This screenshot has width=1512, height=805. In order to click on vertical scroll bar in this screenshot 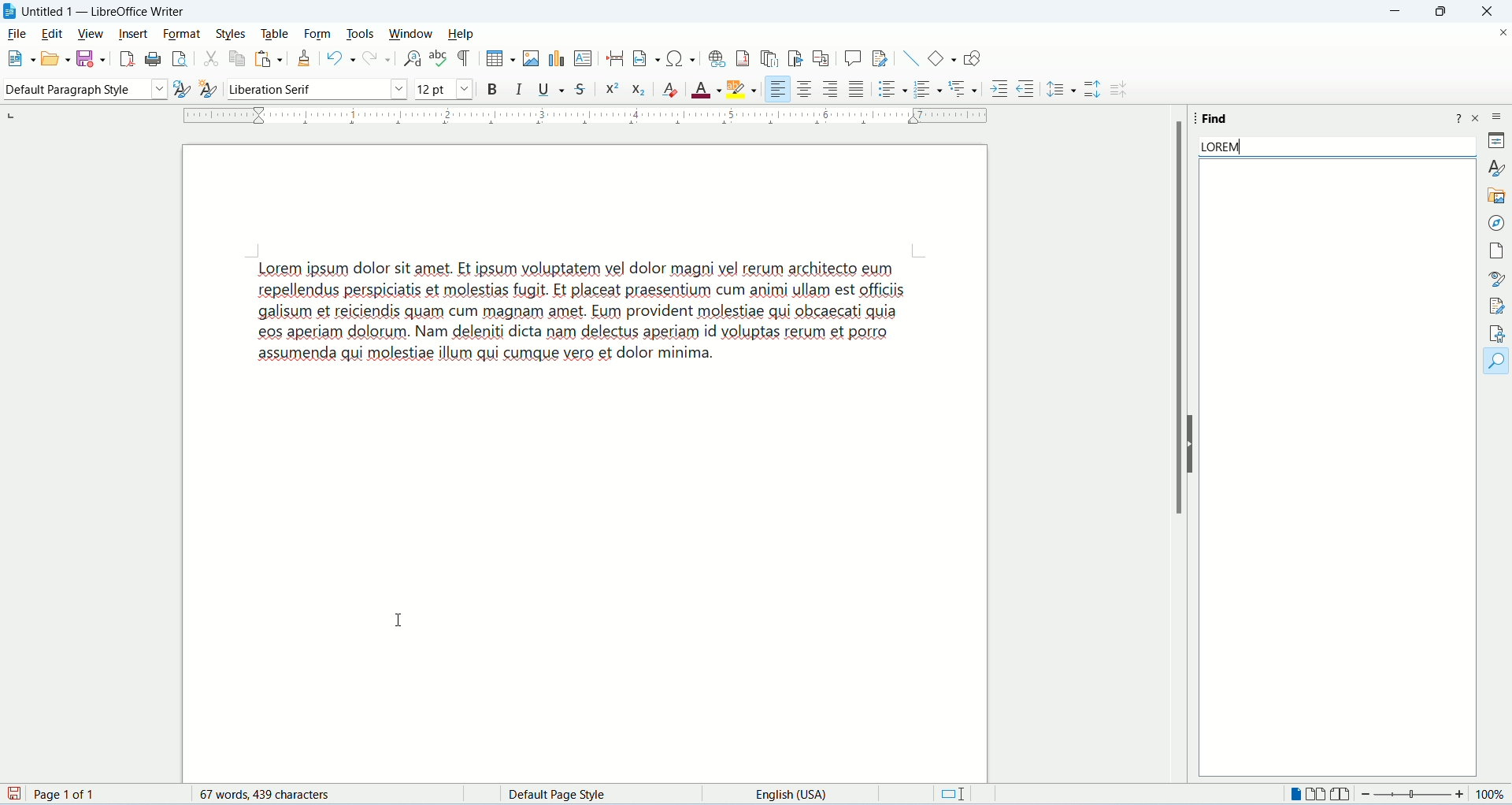, I will do `click(1467, 473)`.